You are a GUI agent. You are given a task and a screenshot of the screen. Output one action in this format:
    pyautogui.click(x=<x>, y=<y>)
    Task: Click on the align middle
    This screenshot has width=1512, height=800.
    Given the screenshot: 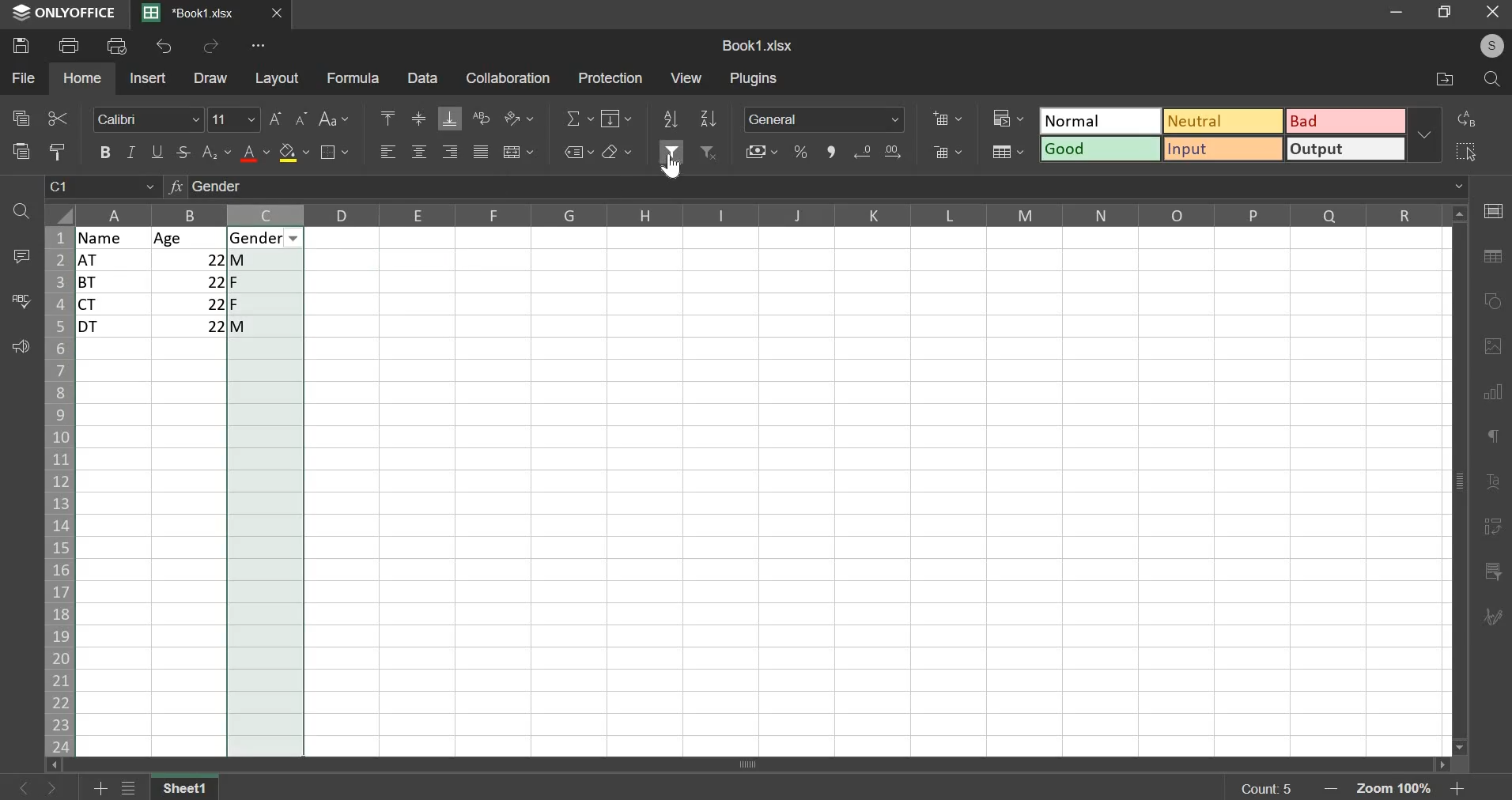 What is the action you would take?
    pyautogui.click(x=418, y=120)
    